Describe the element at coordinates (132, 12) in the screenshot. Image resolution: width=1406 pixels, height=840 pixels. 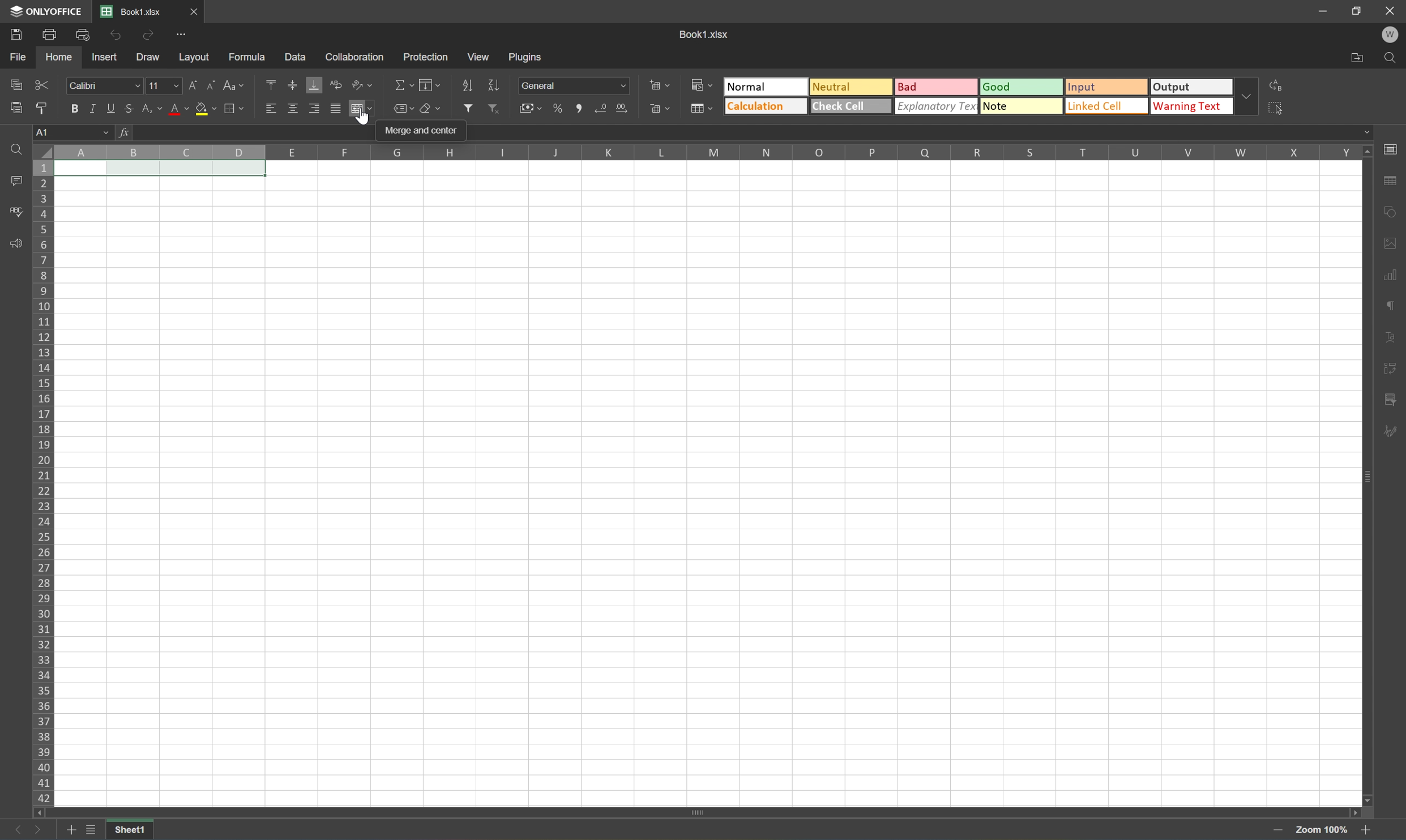
I see `Book1.xlsx` at that location.